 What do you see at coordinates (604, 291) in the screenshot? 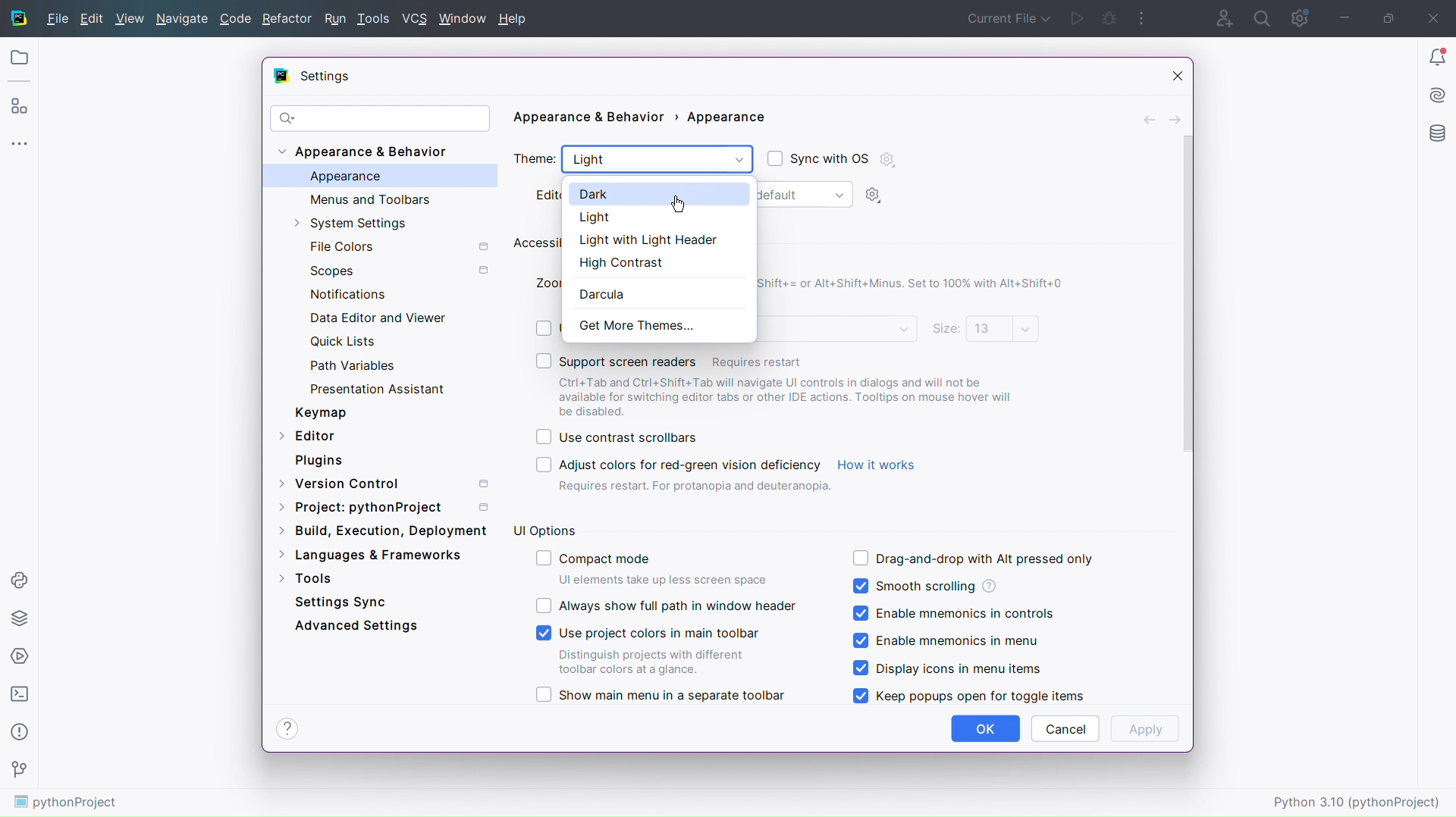
I see `Dracula` at bounding box center [604, 291].